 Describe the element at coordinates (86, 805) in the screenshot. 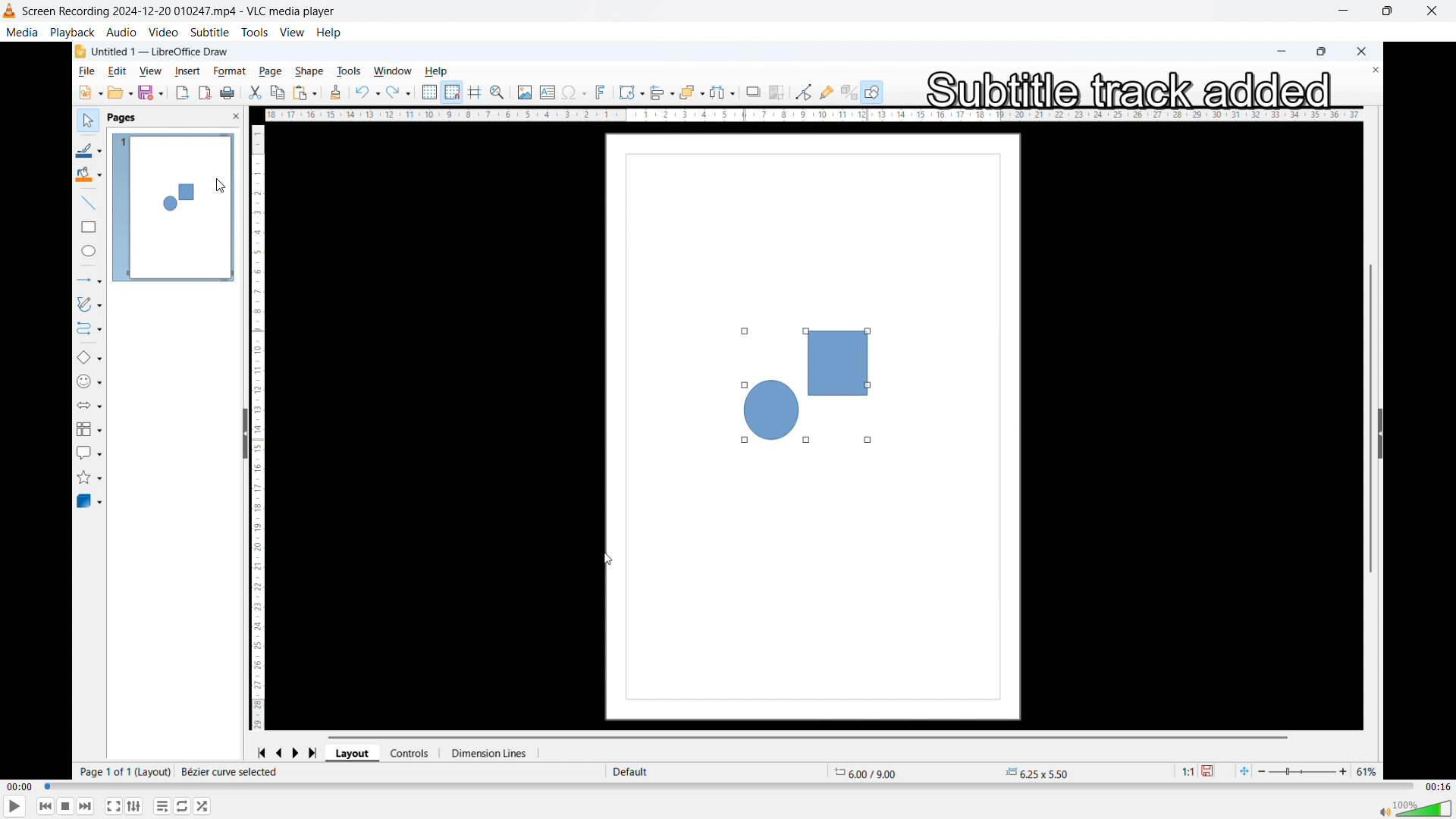

I see `Forward or next media ` at that location.